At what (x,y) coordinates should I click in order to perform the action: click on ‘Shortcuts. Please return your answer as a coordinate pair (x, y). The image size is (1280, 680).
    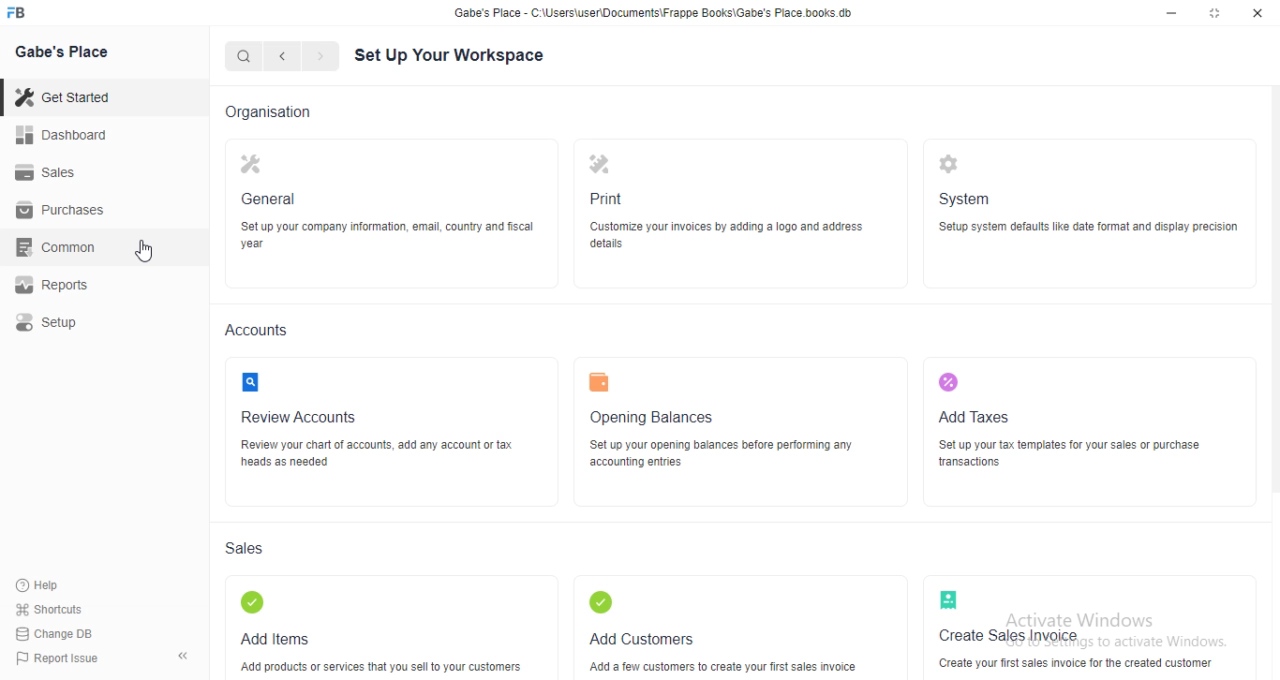
    Looking at the image, I should click on (58, 608).